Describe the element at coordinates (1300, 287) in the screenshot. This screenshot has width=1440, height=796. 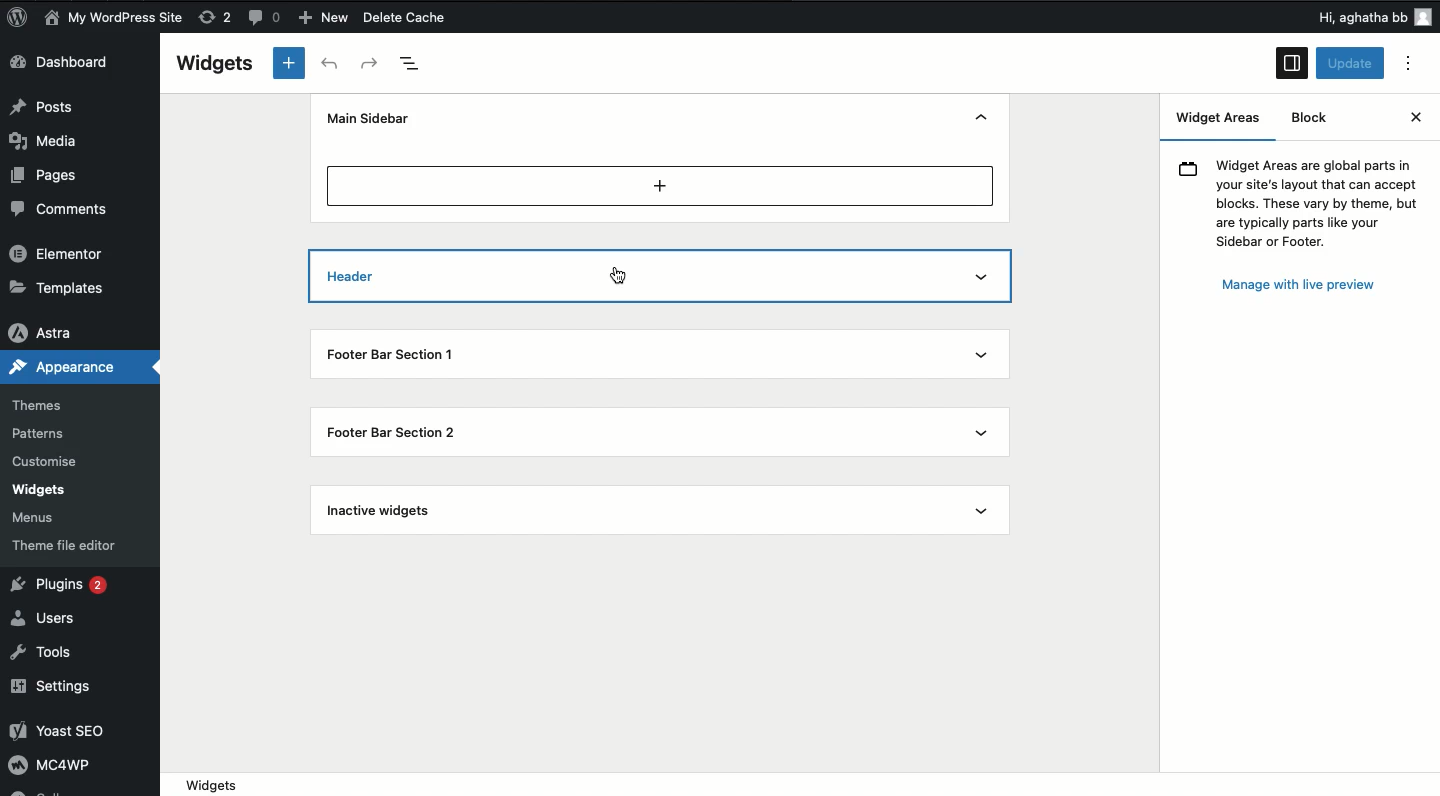
I see `Manage with live preview` at that location.